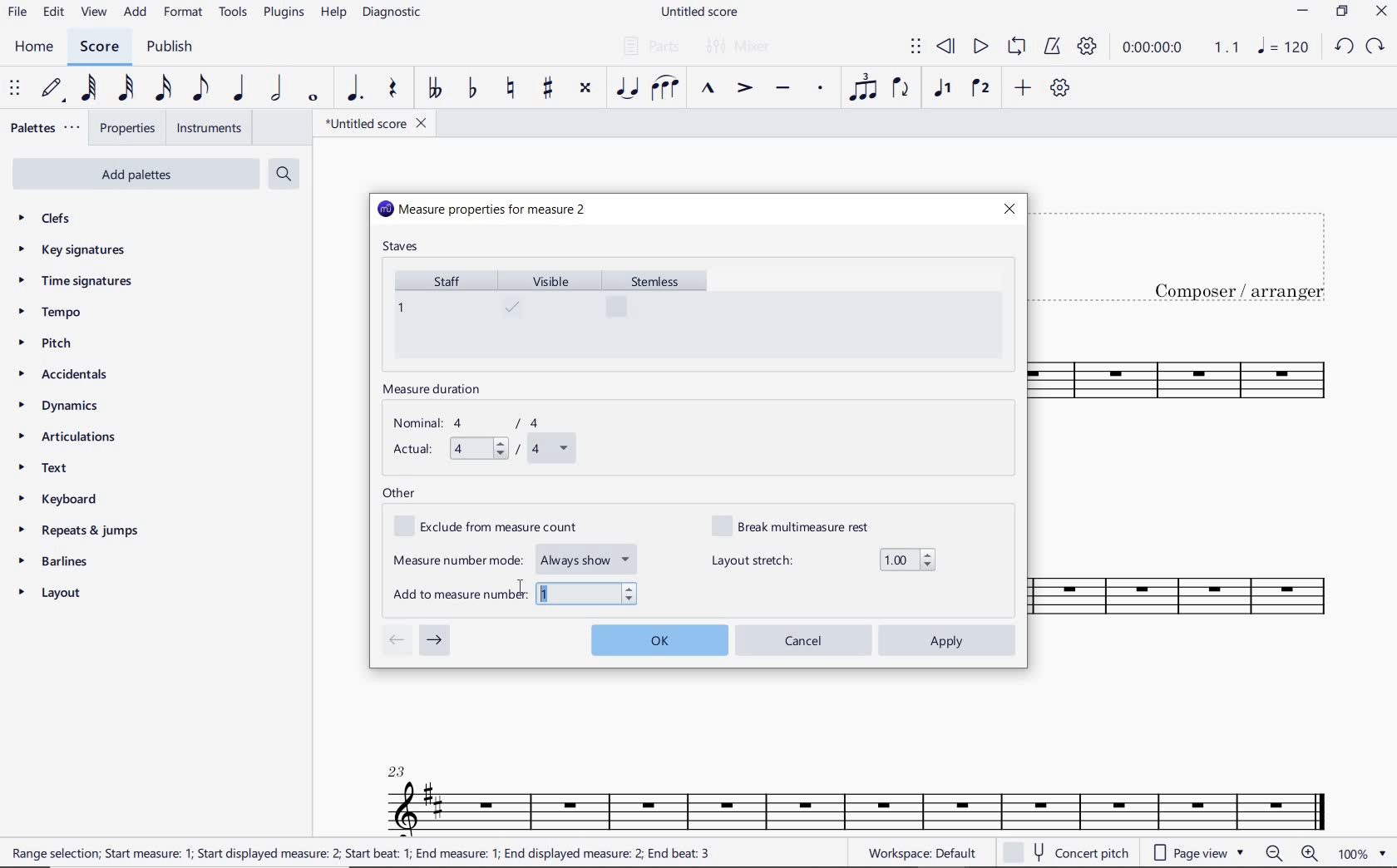 Image resolution: width=1397 pixels, height=868 pixels. I want to click on SCORE, so click(99, 47).